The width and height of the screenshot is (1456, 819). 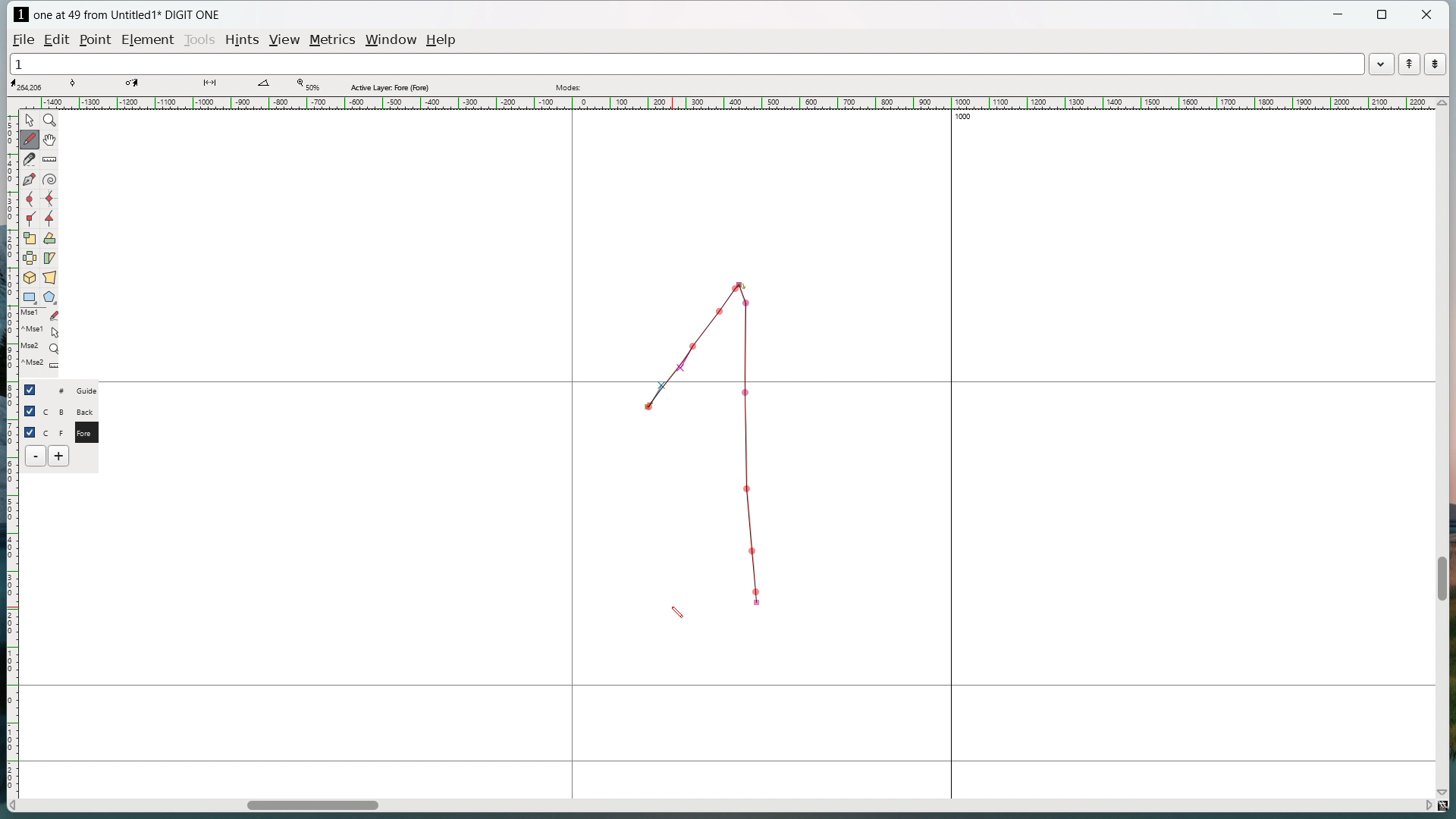 What do you see at coordinates (725, 103) in the screenshot?
I see `horizontal ruler` at bounding box center [725, 103].